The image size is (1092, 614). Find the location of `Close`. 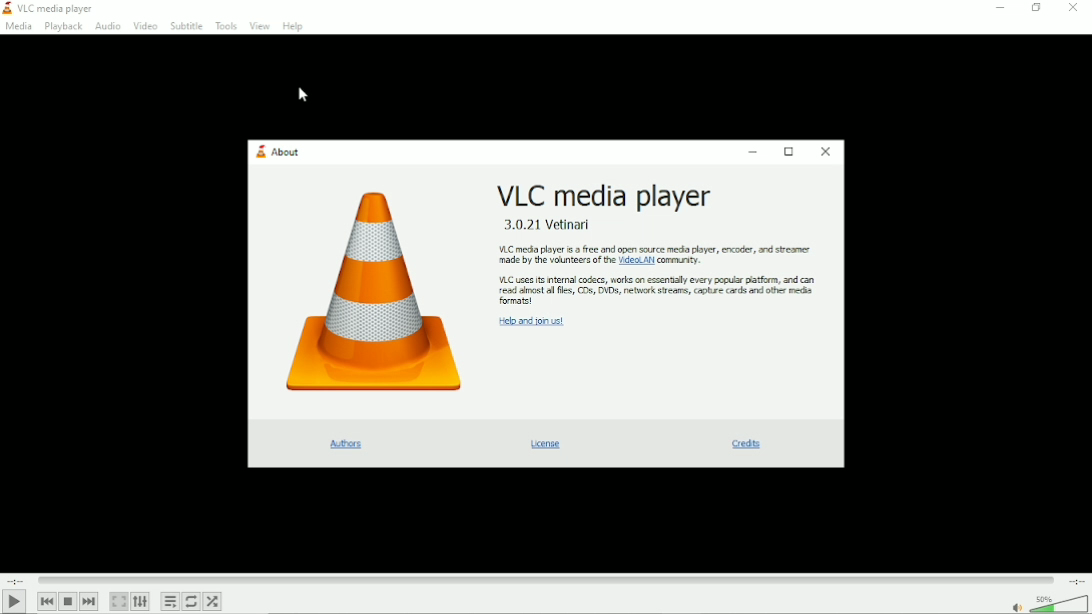

Close is located at coordinates (825, 152).